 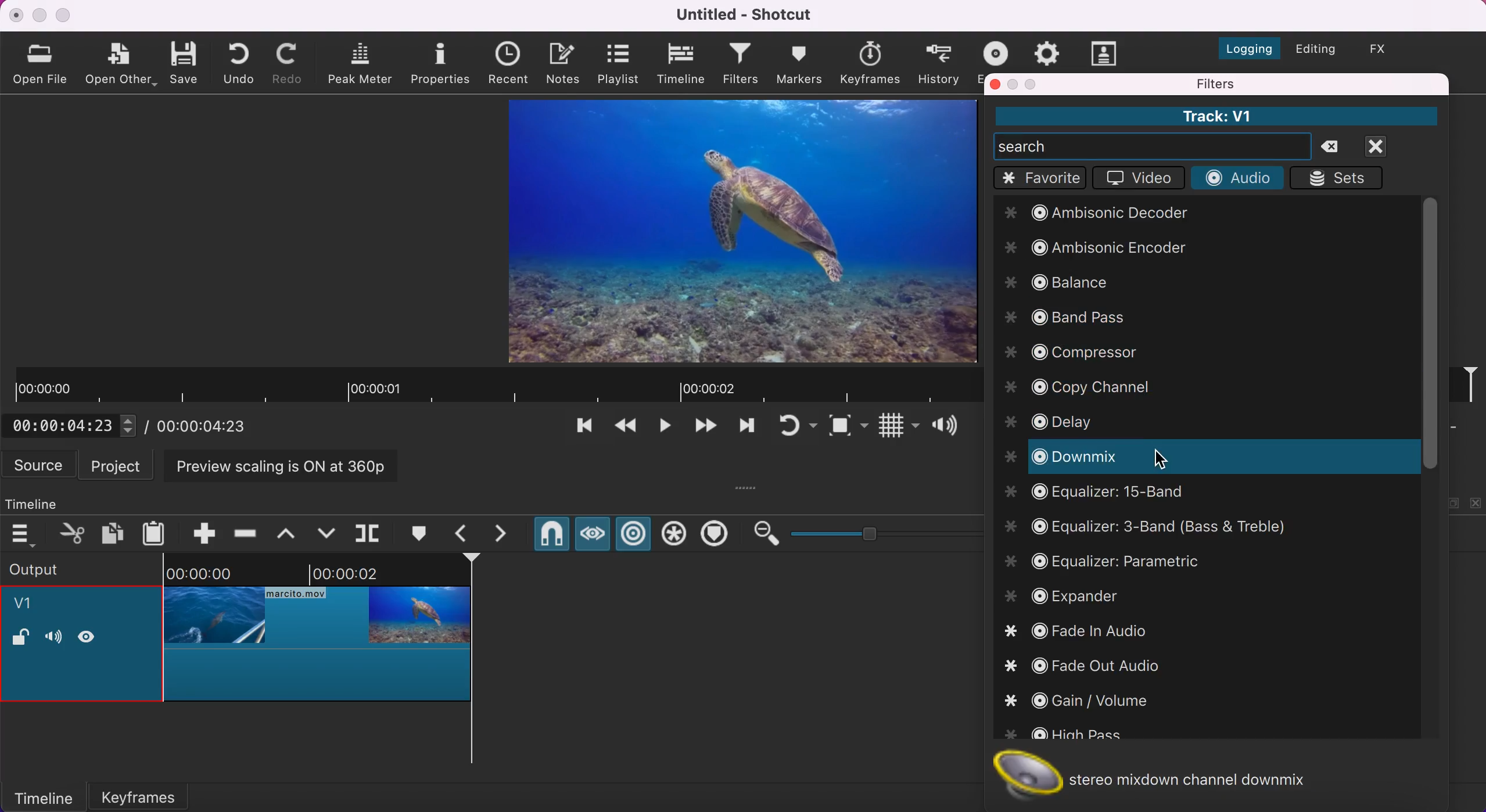 I want to click on lock, so click(x=20, y=639).